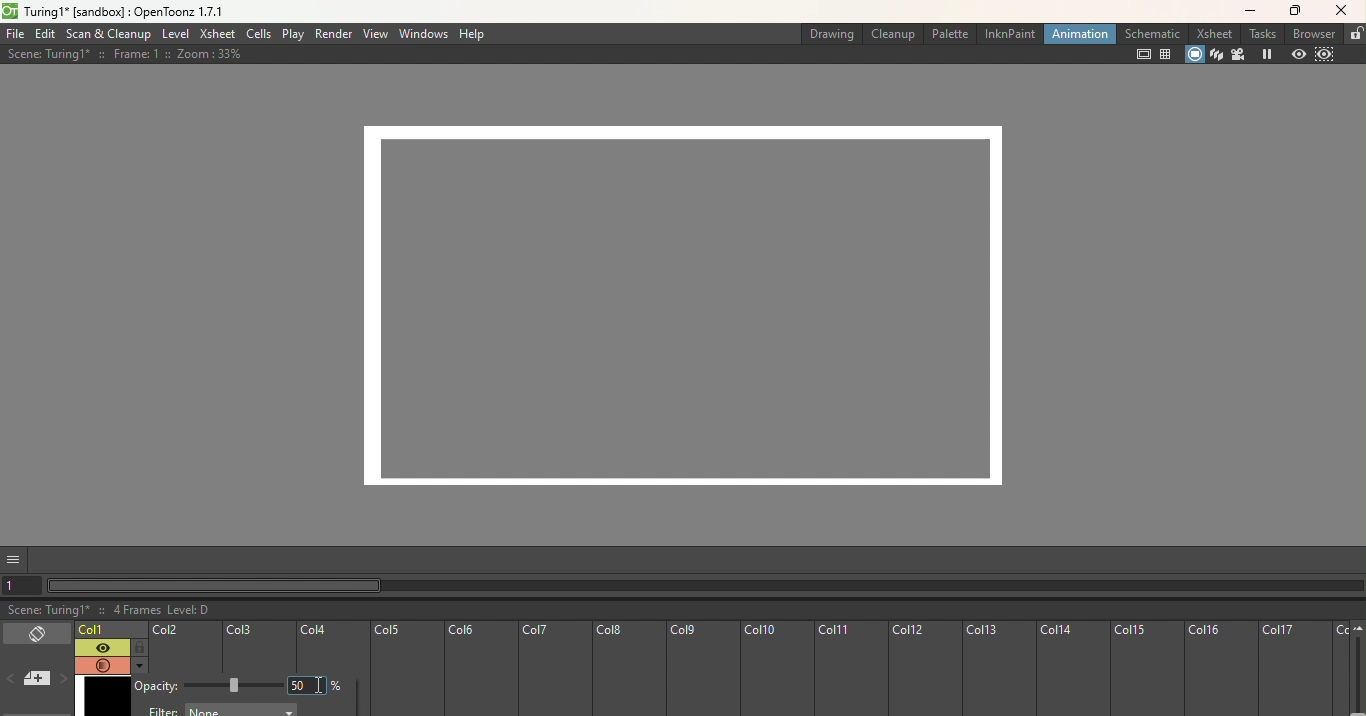  What do you see at coordinates (1167, 55) in the screenshot?
I see `Field guide` at bounding box center [1167, 55].